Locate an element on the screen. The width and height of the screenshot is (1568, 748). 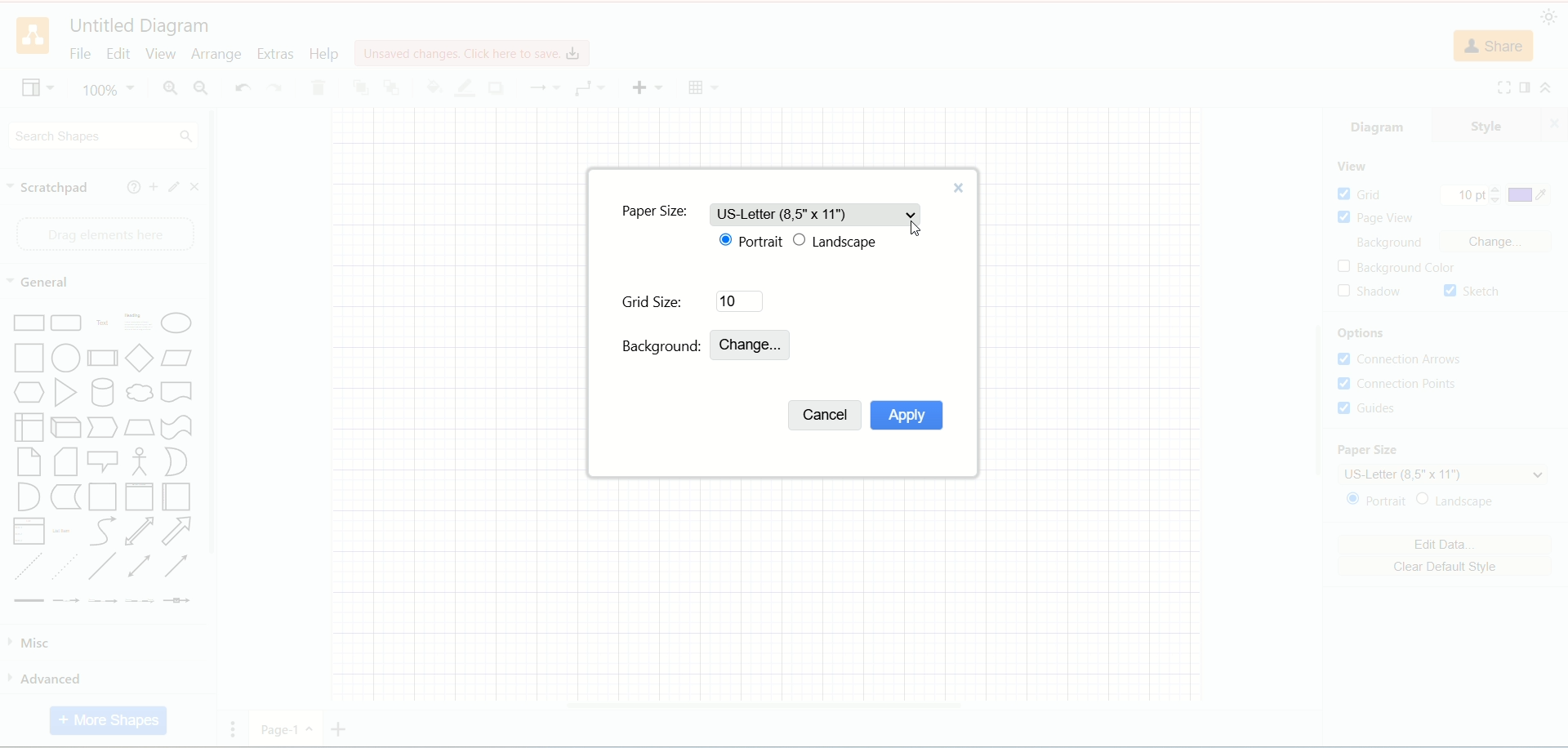
Table is located at coordinates (704, 87).